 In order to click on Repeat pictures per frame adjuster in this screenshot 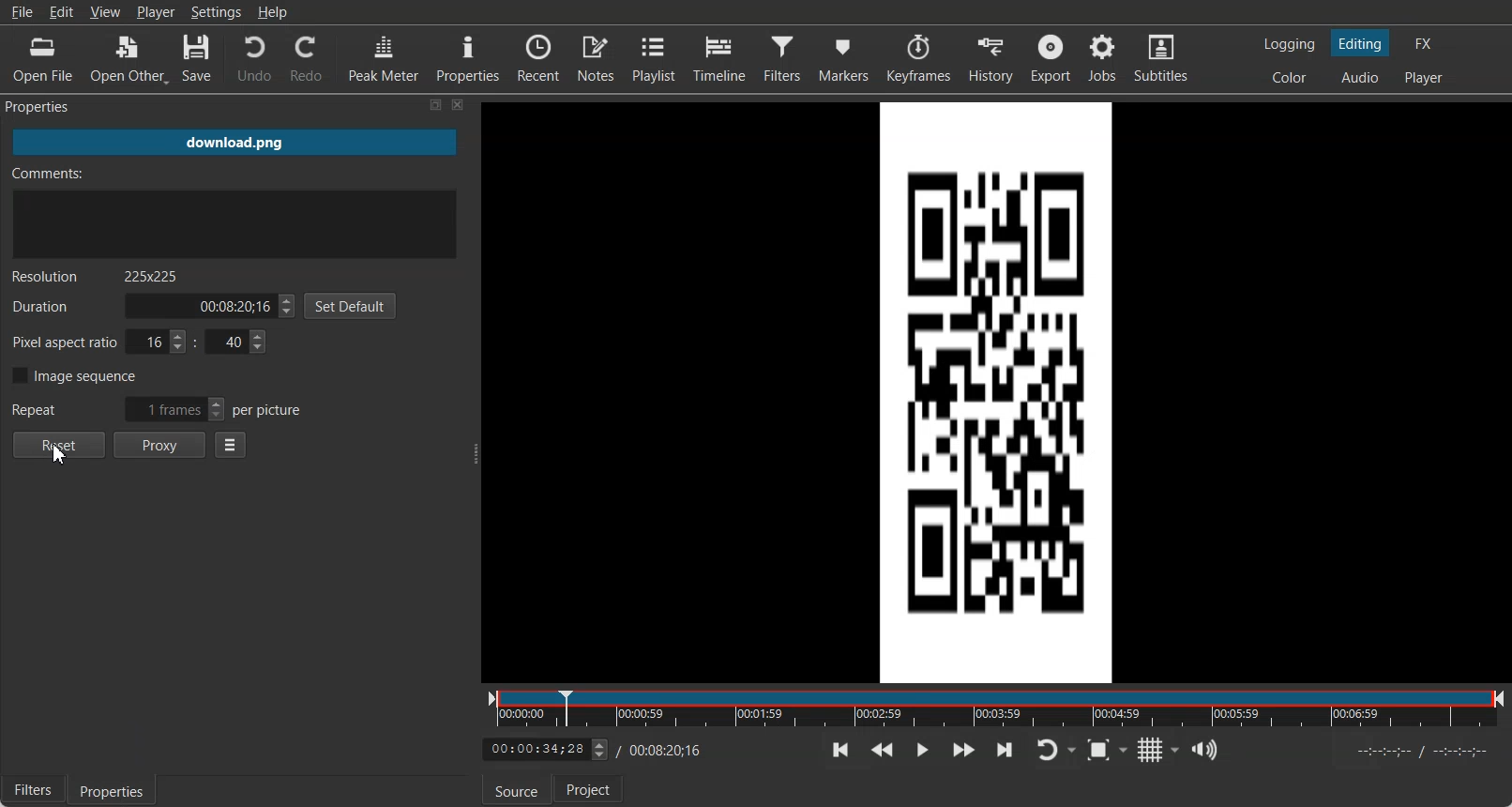, I will do `click(156, 407)`.